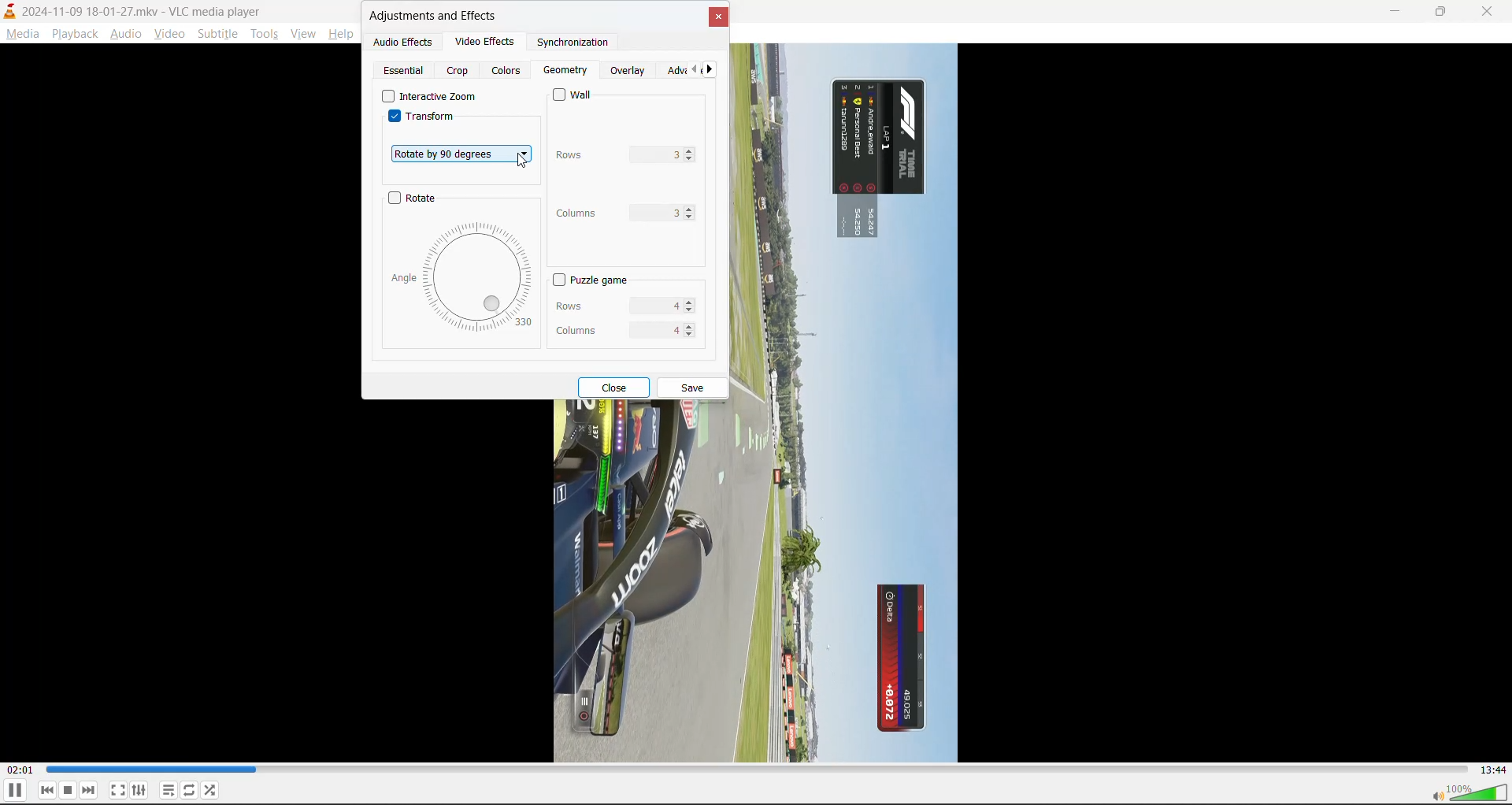 The height and width of the screenshot is (805, 1512). I want to click on tools, so click(269, 36).